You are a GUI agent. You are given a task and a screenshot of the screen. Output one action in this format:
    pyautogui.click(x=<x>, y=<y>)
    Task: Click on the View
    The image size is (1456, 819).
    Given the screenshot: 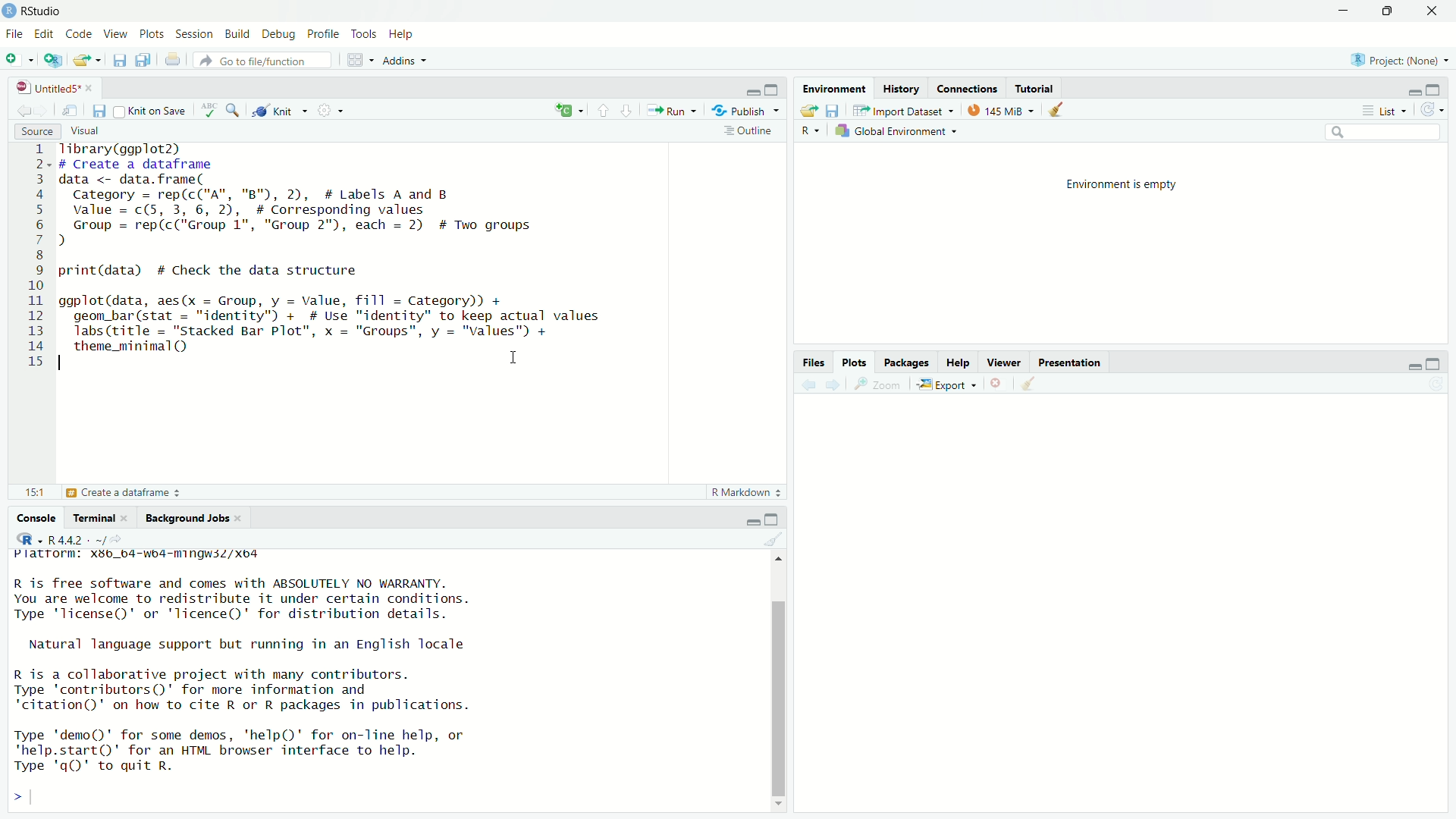 What is the action you would take?
    pyautogui.click(x=116, y=34)
    